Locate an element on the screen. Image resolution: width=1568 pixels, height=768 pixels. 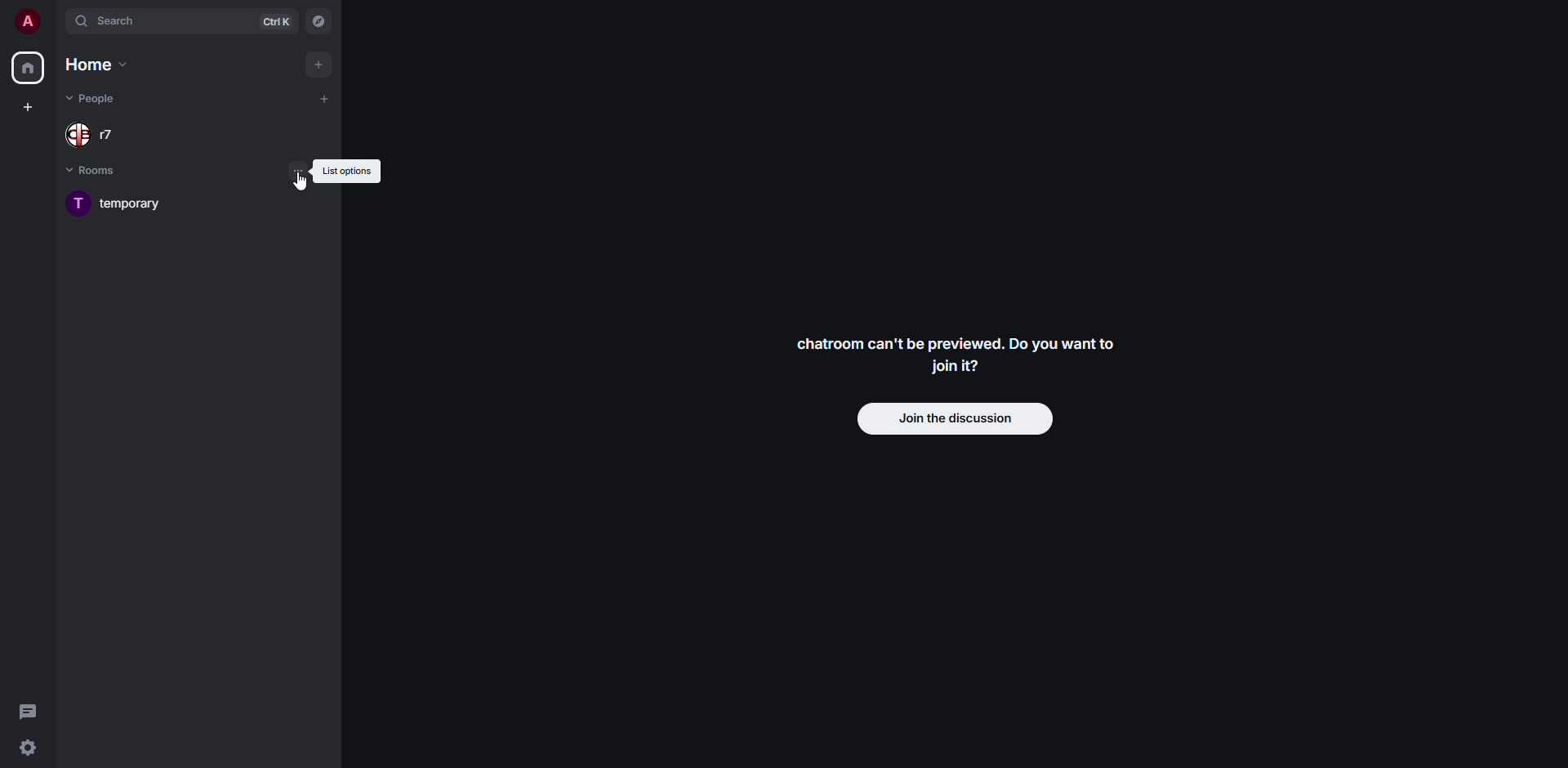
home is located at coordinates (27, 69).